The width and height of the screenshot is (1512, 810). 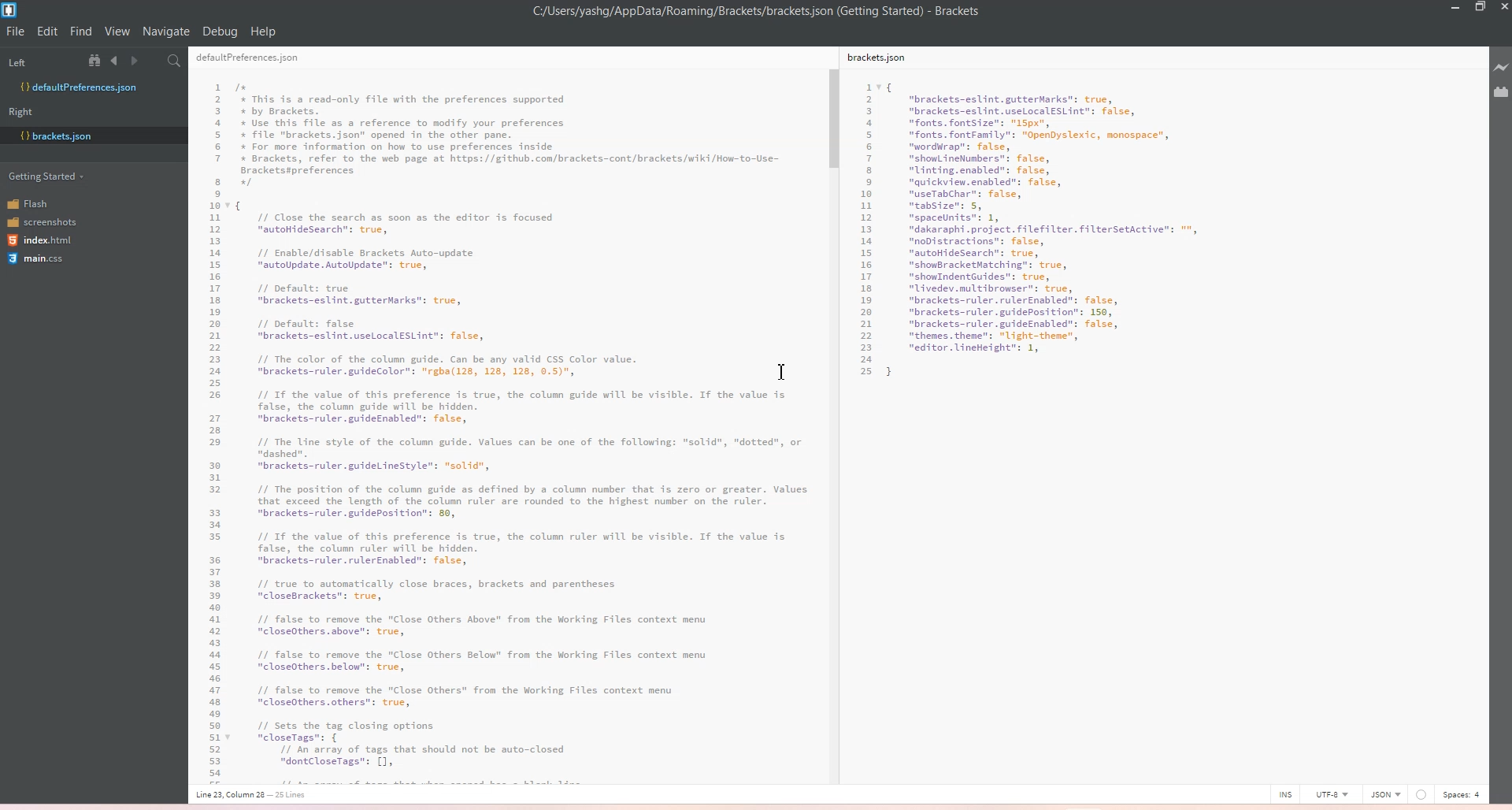 I want to click on main.css, so click(x=39, y=261).